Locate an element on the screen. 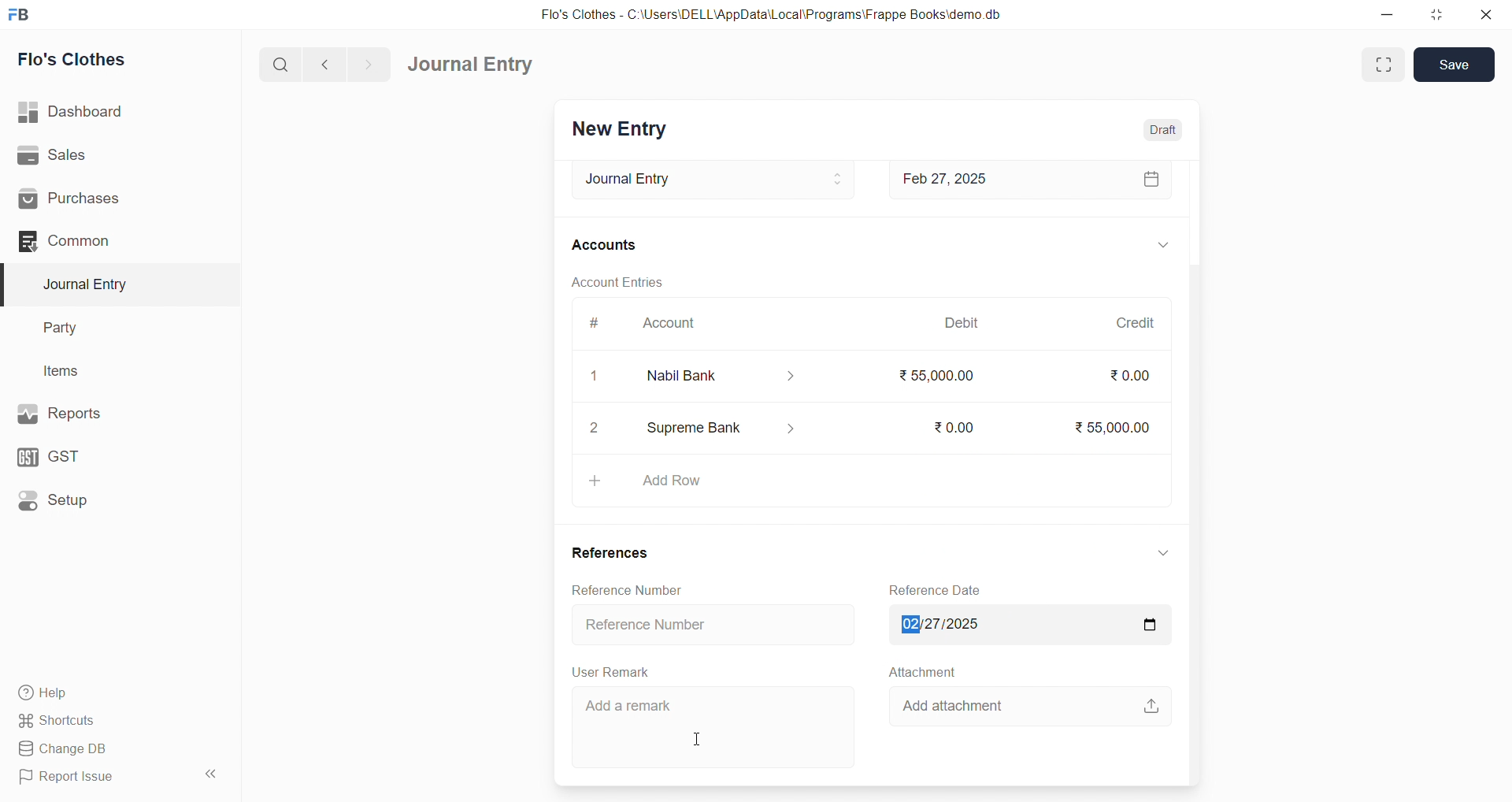 The height and width of the screenshot is (802, 1512). Reference Date is located at coordinates (939, 589).